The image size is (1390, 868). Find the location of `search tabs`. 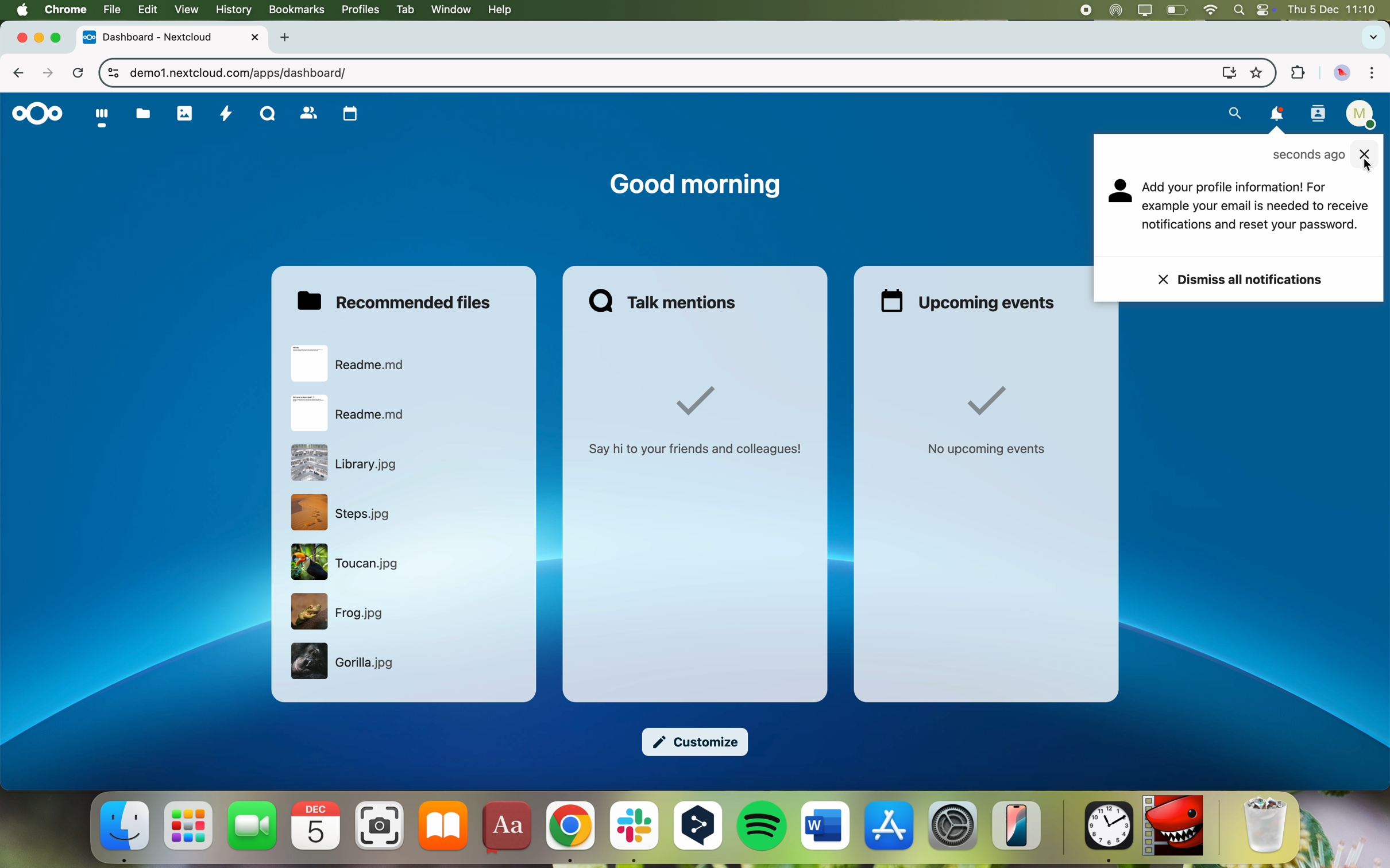

search tabs is located at coordinates (1372, 38).